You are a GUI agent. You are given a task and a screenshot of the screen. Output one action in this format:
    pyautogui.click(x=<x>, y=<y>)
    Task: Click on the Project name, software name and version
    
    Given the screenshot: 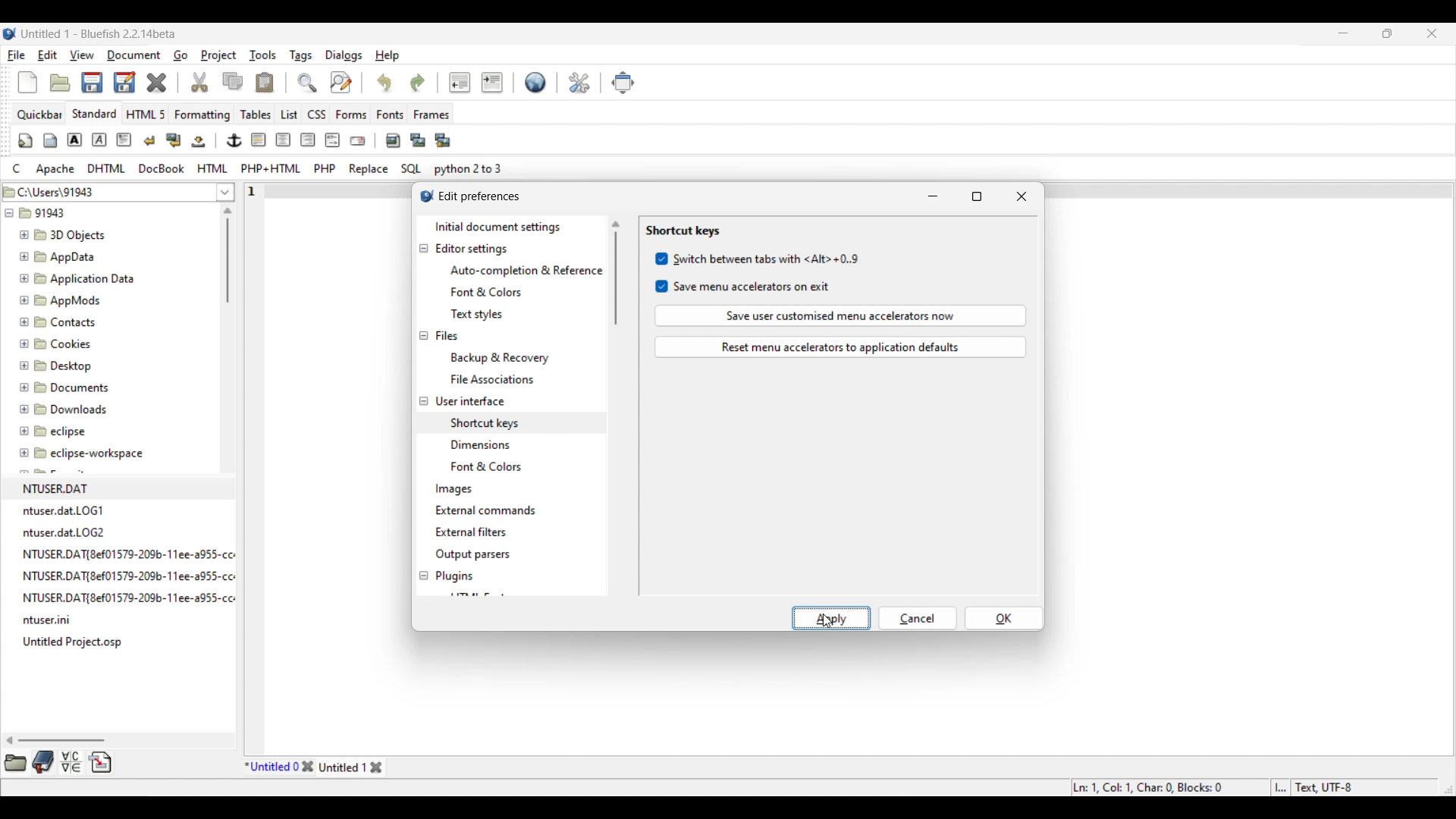 What is the action you would take?
    pyautogui.click(x=99, y=33)
    